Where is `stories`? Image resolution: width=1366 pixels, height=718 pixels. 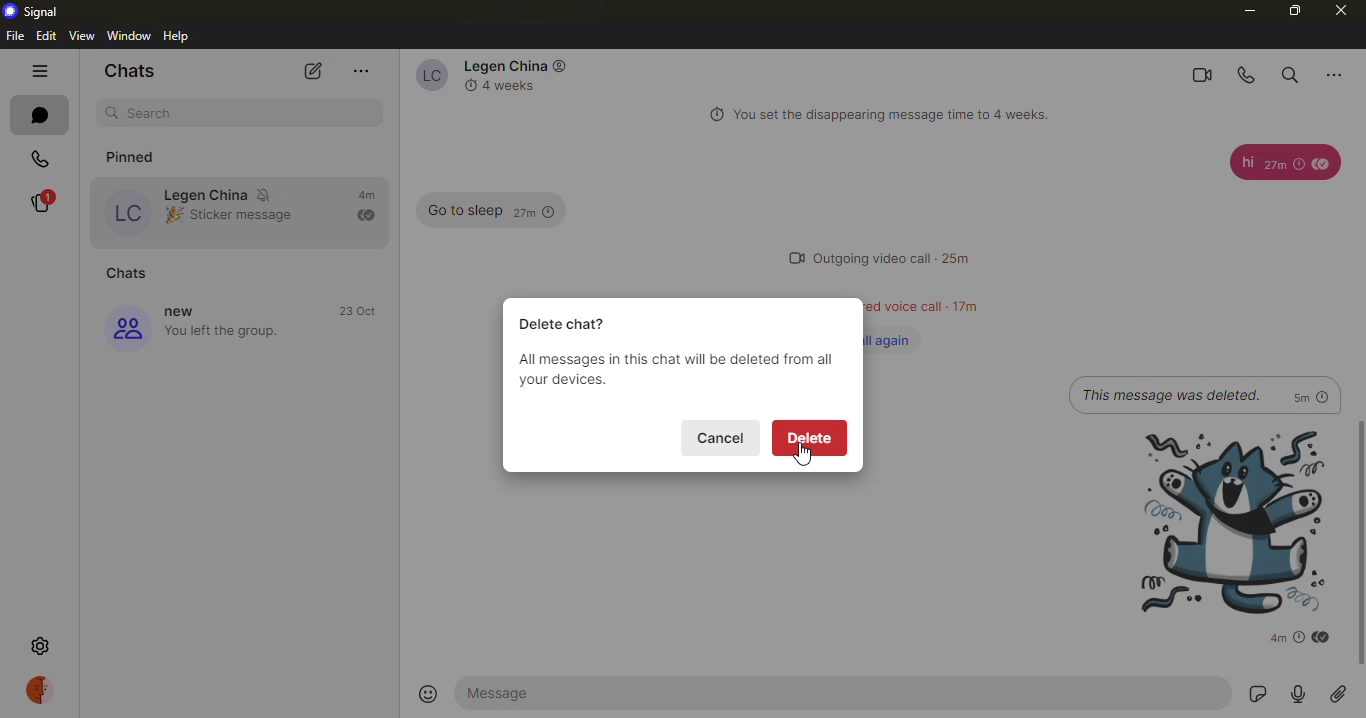
stories is located at coordinates (40, 202).